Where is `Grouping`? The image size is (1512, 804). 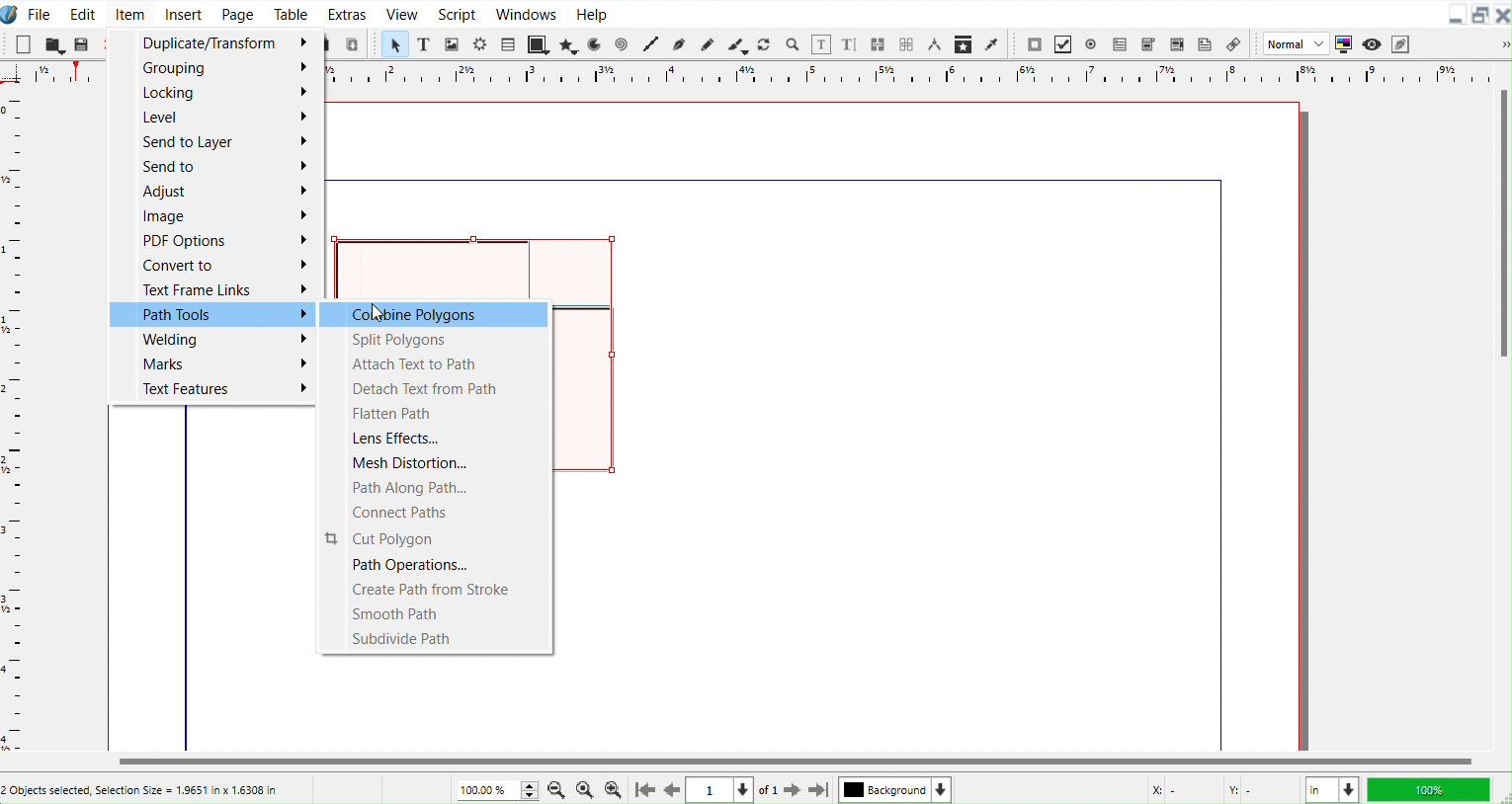
Grouping is located at coordinates (214, 68).